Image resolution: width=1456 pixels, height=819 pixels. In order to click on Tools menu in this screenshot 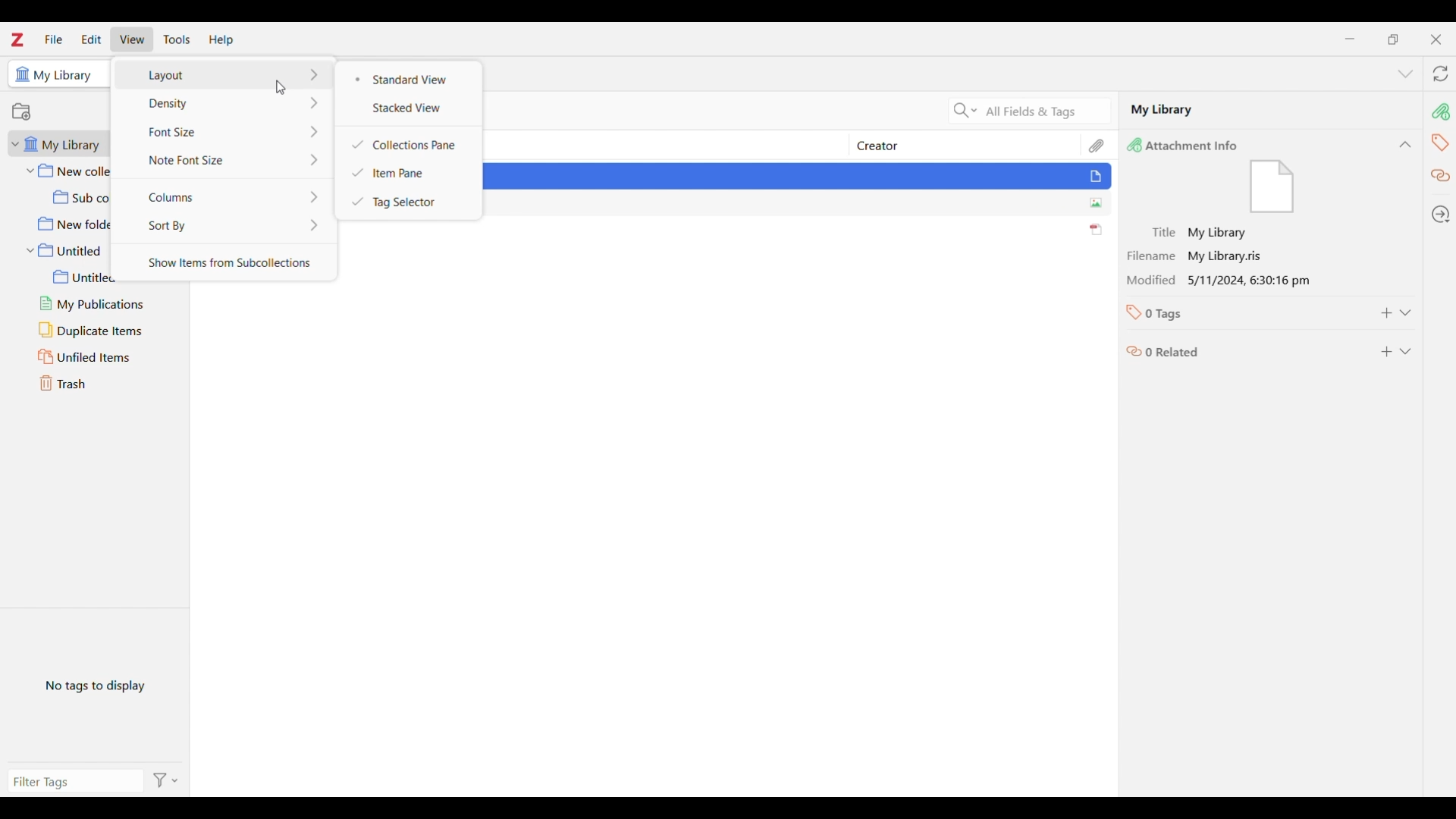, I will do `click(177, 39)`.